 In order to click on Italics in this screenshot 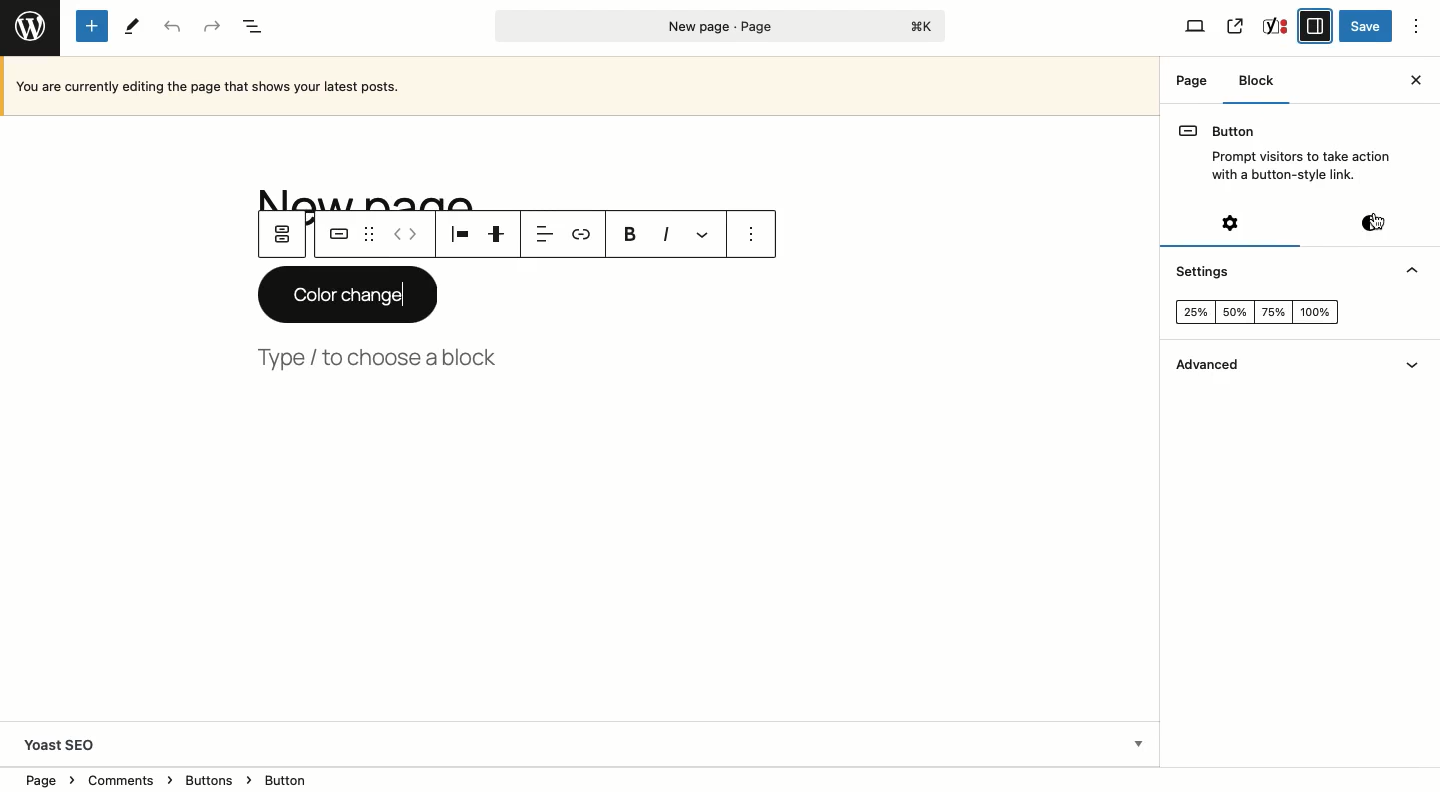, I will do `click(666, 234)`.